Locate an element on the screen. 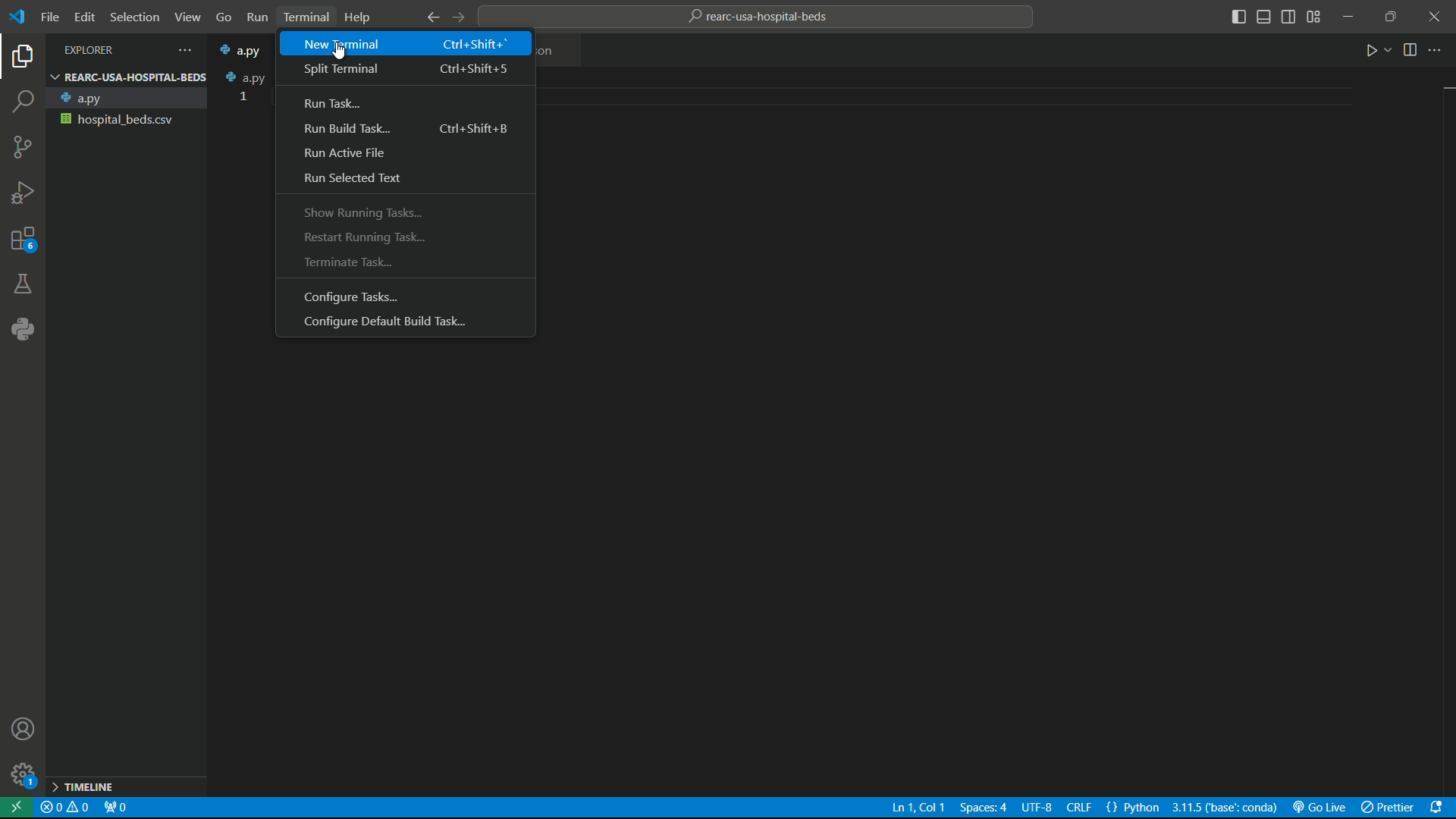 This screenshot has width=1456, height=819. testing is located at coordinates (22, 283).